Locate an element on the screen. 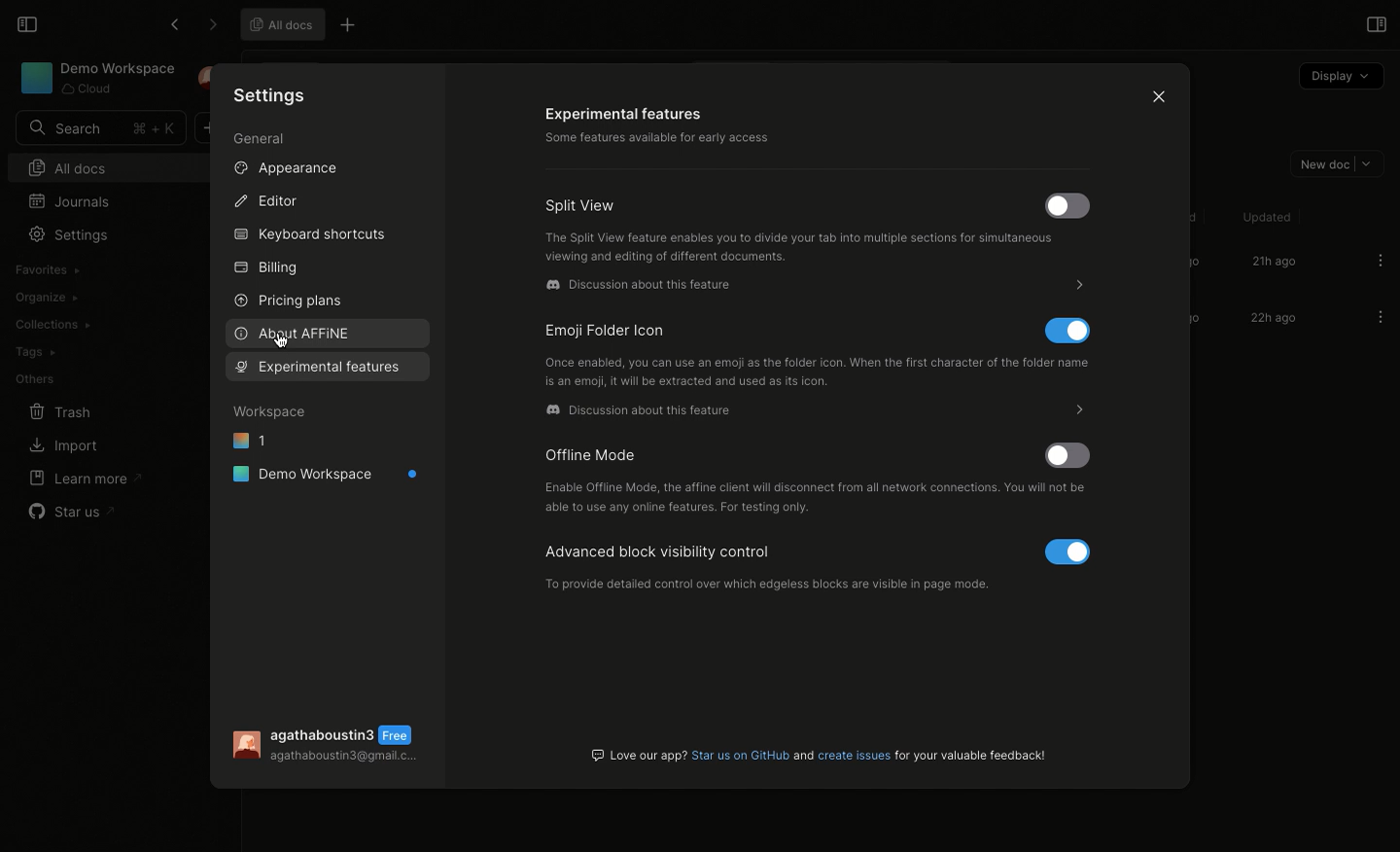 The image size is (1400, 852). Settings is located at coordinates (272, 94).